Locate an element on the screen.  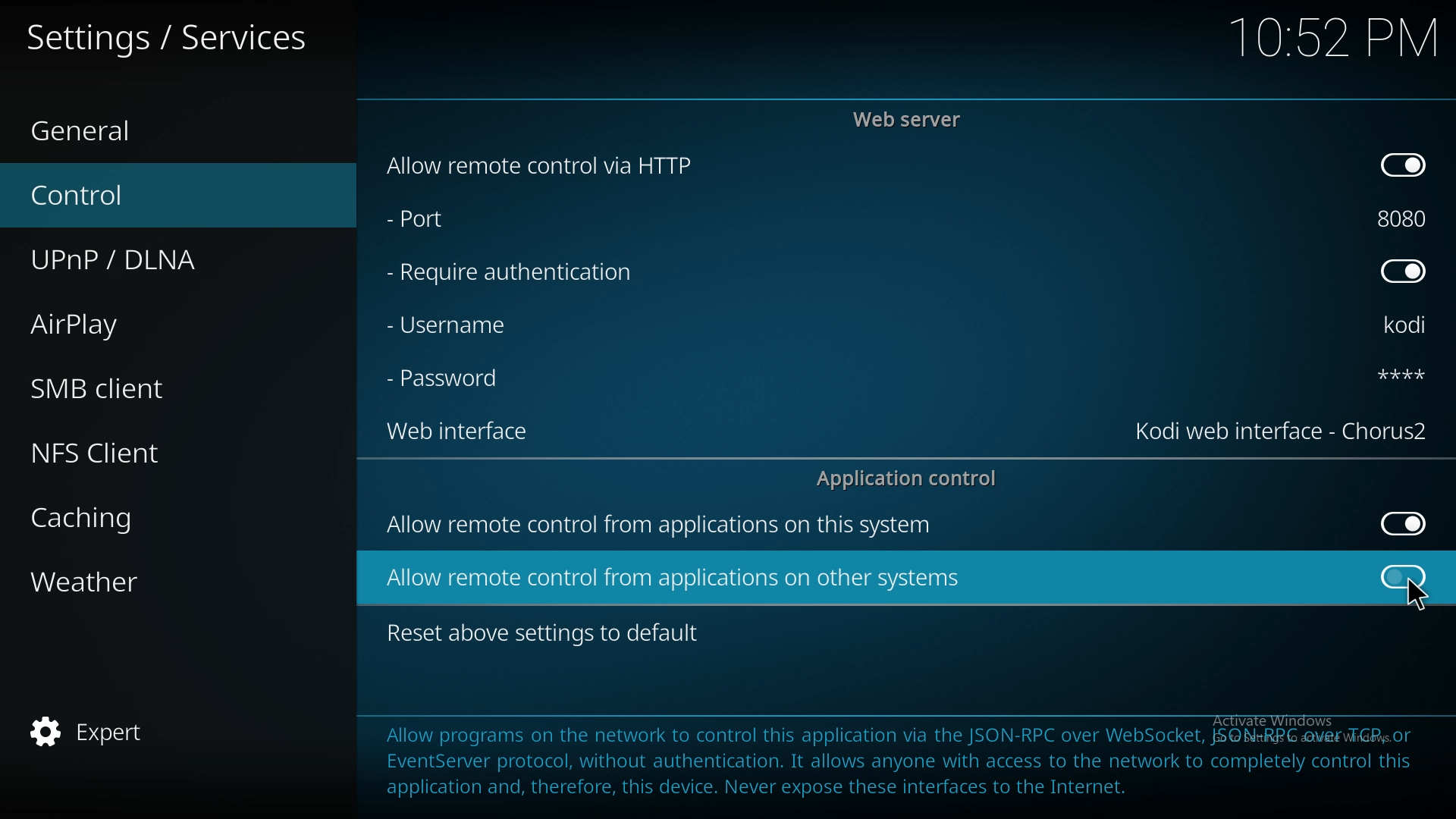
caching is located at coordinates (155, 514).